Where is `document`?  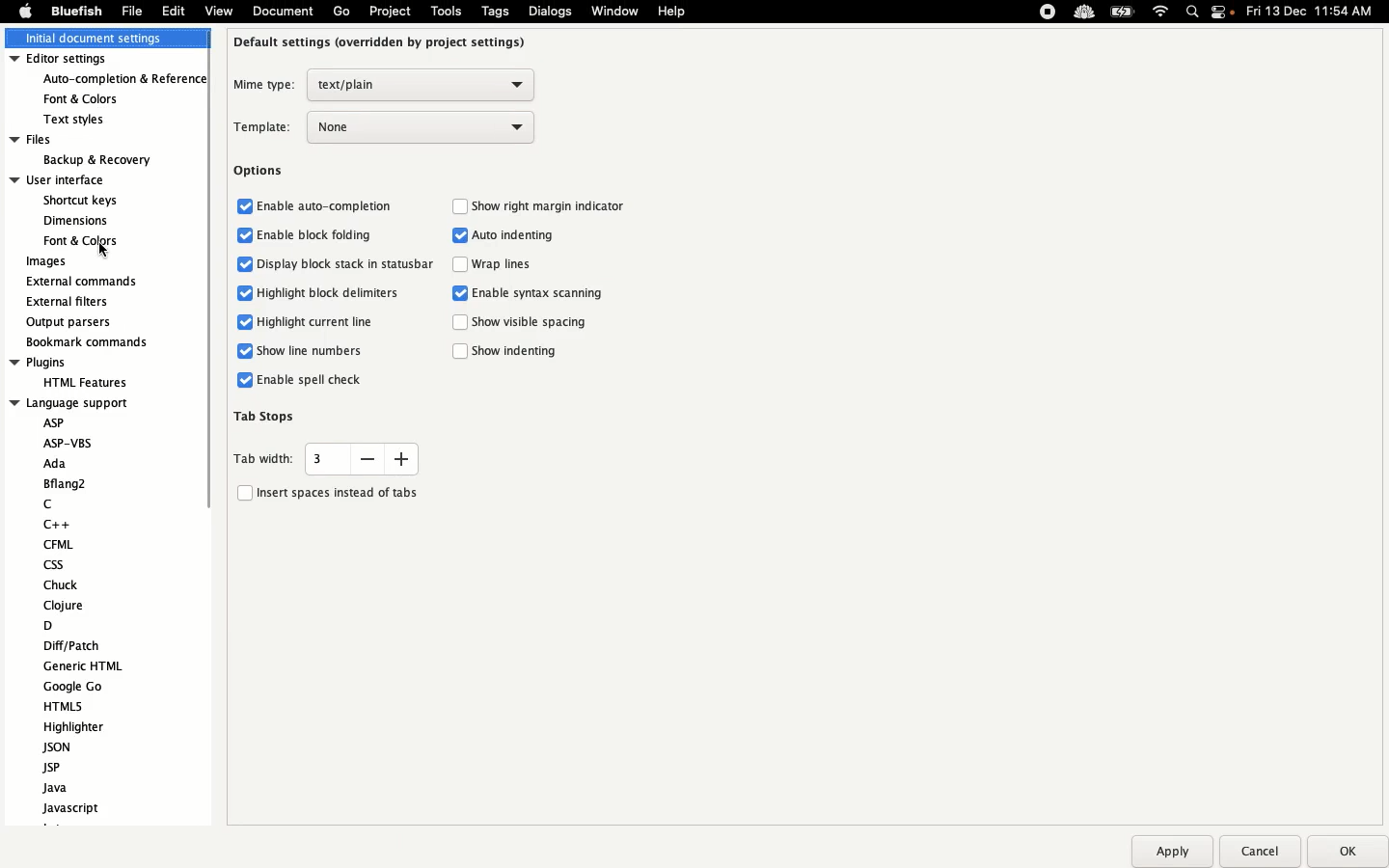
document is located at coordinates (281, 13).